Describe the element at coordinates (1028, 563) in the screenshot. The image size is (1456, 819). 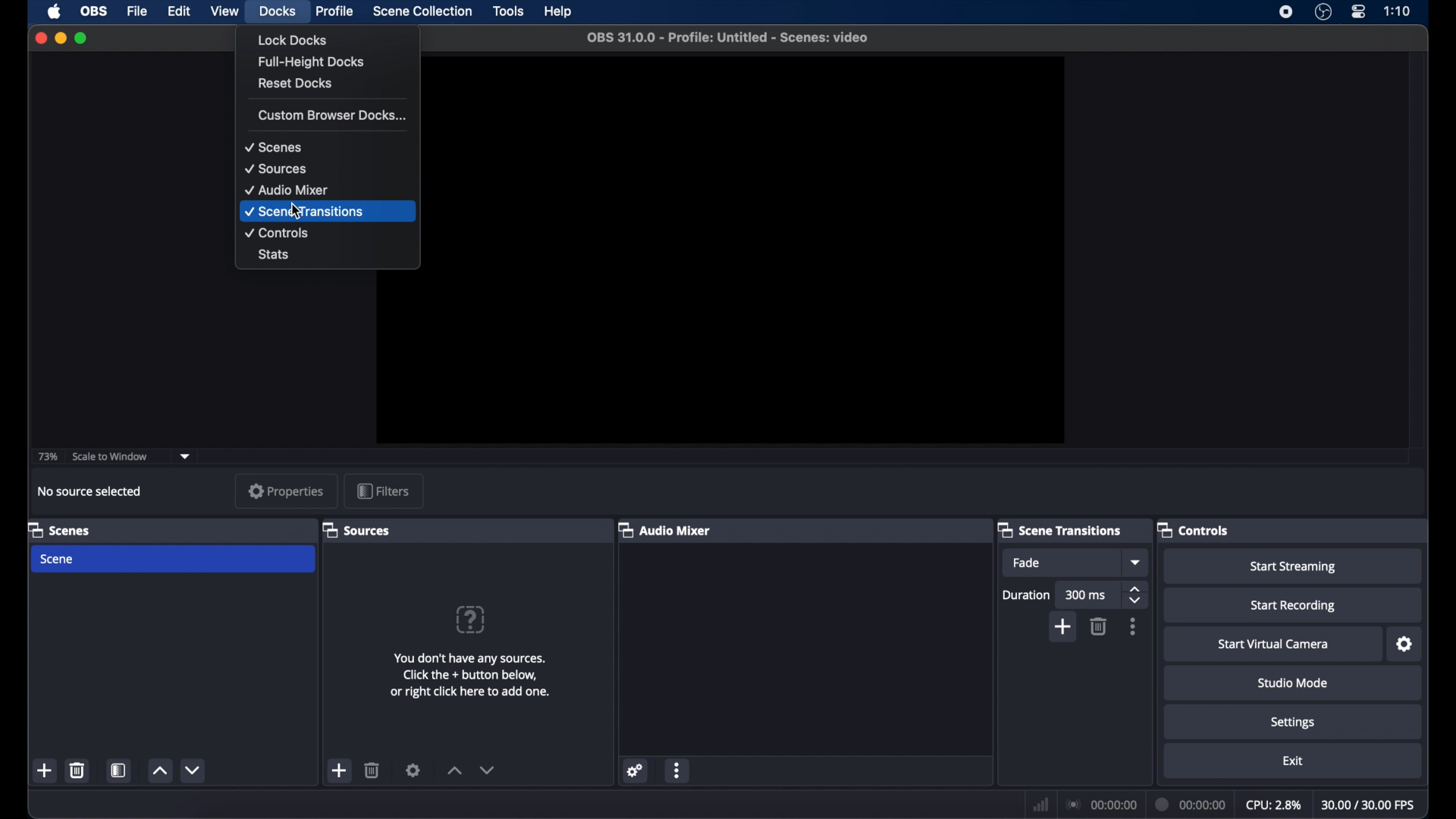
I see `fade` at that location.